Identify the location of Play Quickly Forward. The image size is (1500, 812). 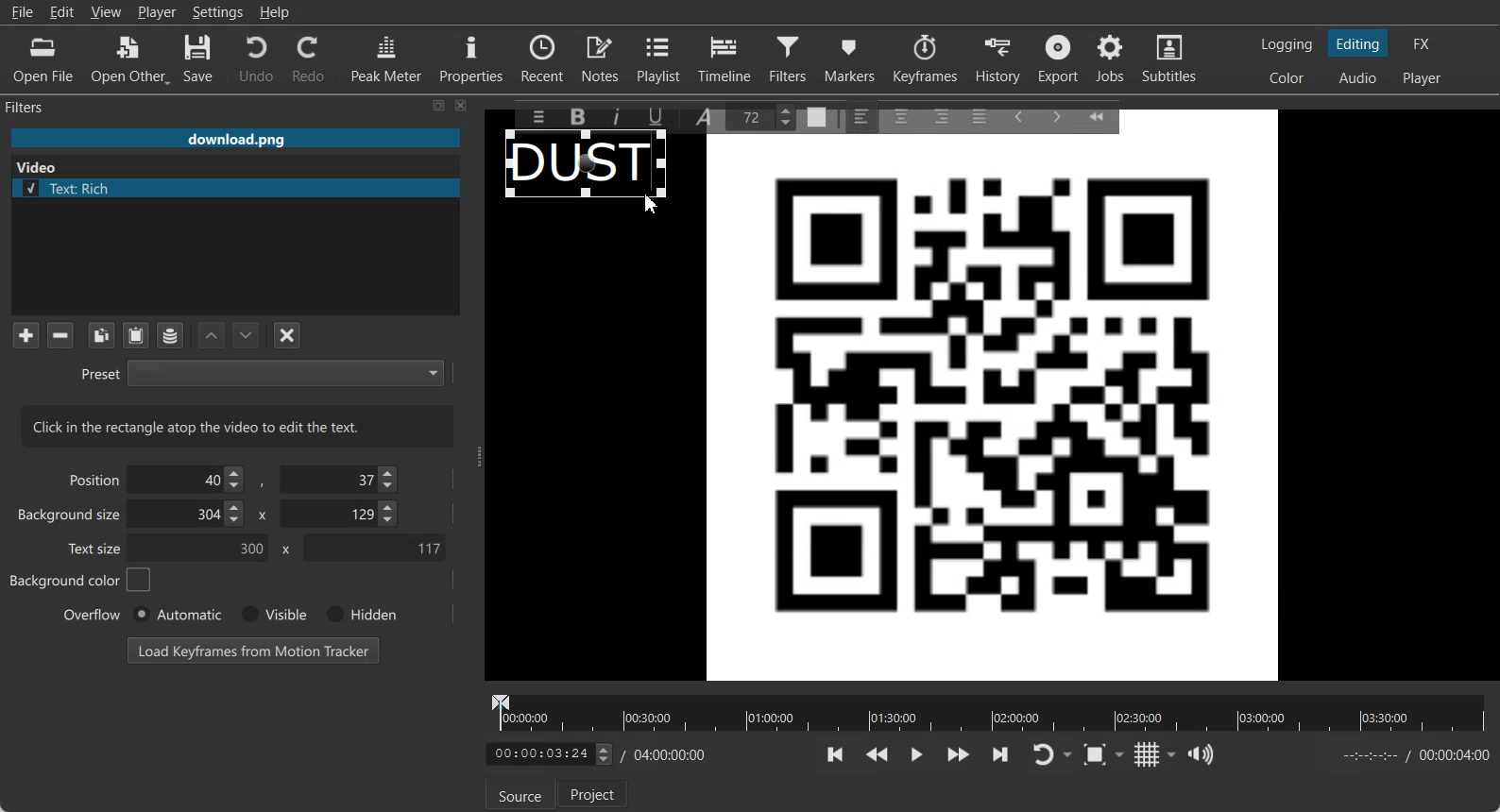
(959, 754).